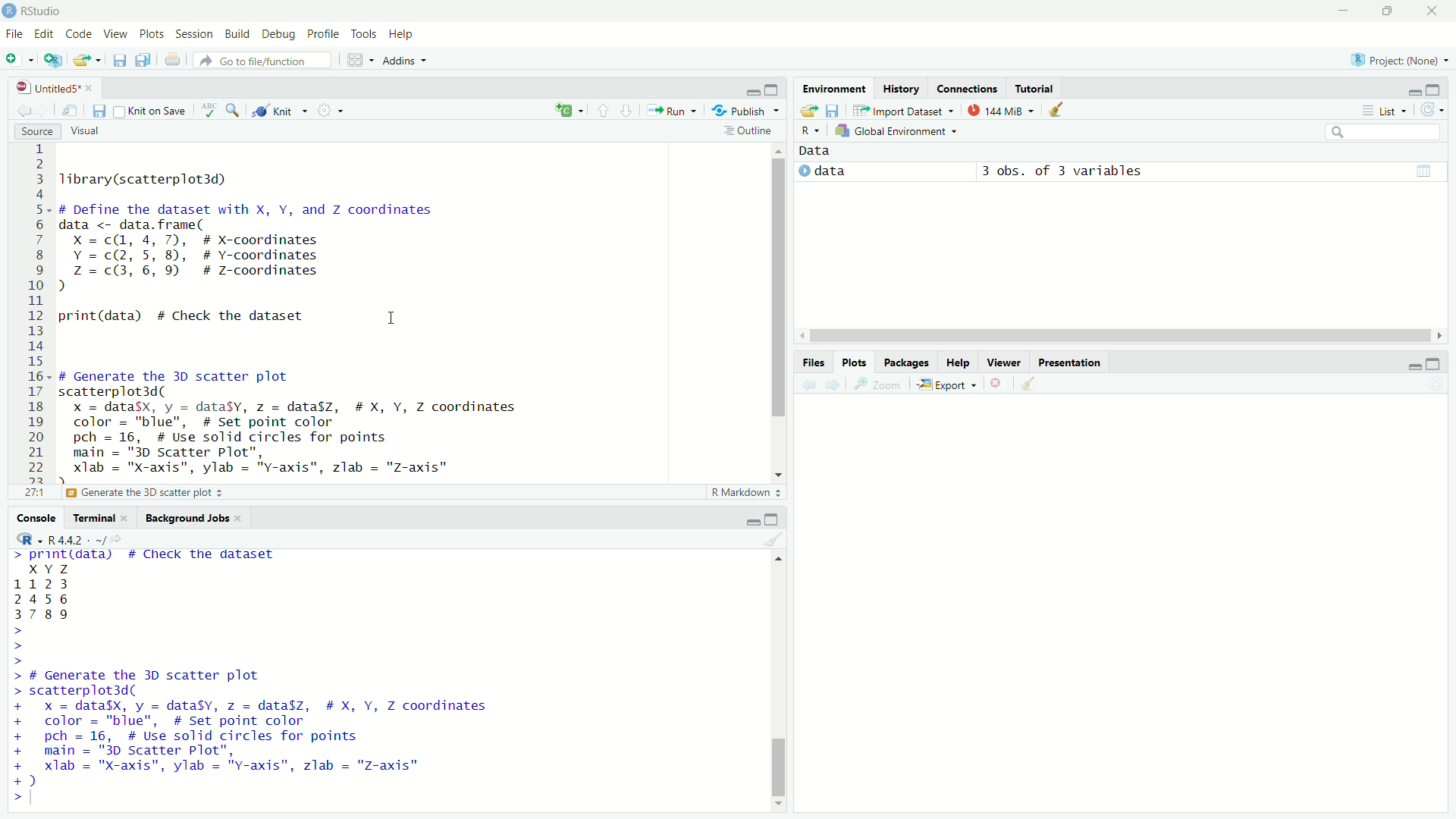  Describe the element at coordinates (1031, 383) in the screenshot. I see `clear all plots` at that location.